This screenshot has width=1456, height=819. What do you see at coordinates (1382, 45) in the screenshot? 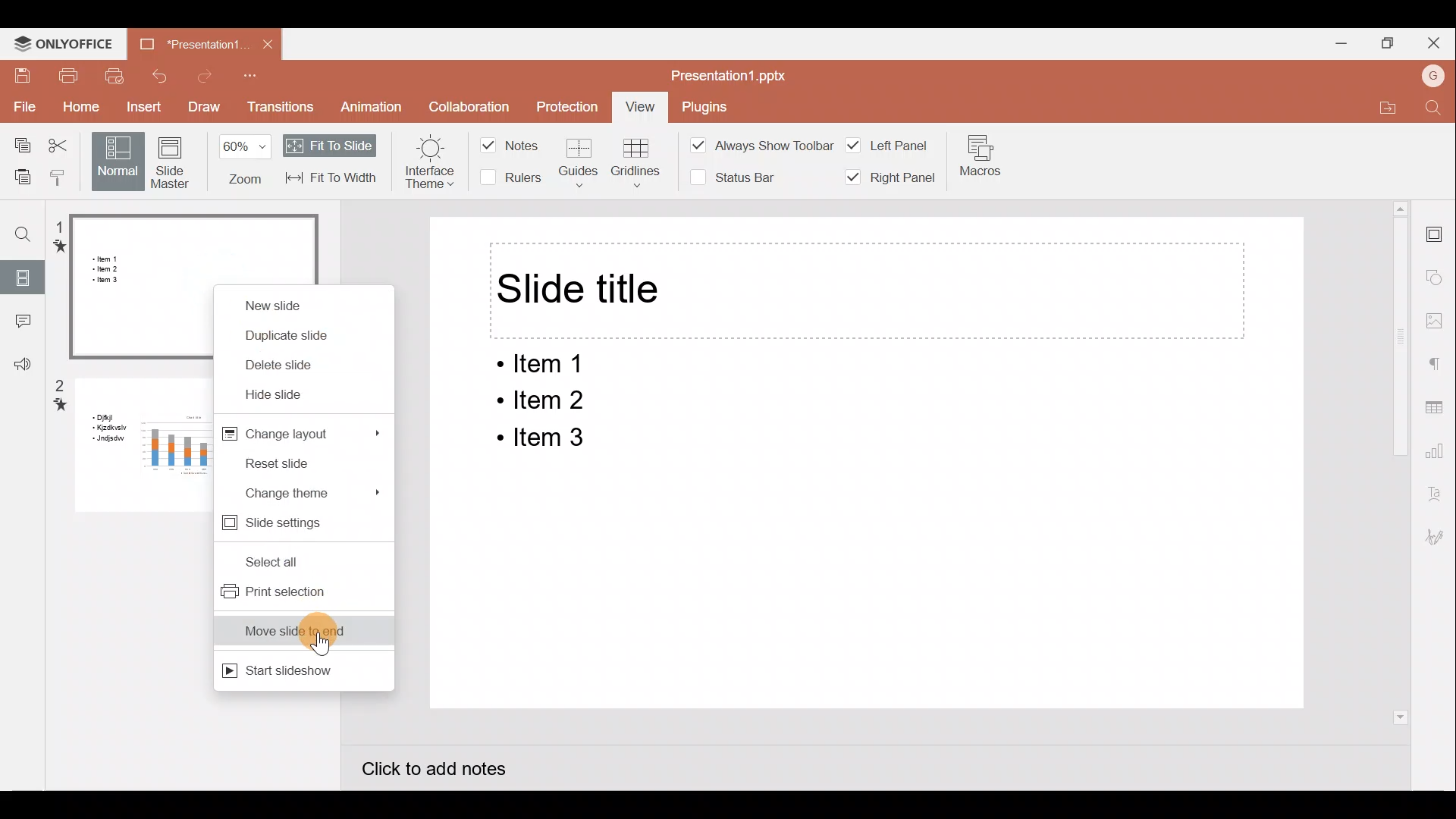
I see `Maximize` at bounding box center [1382, 45].